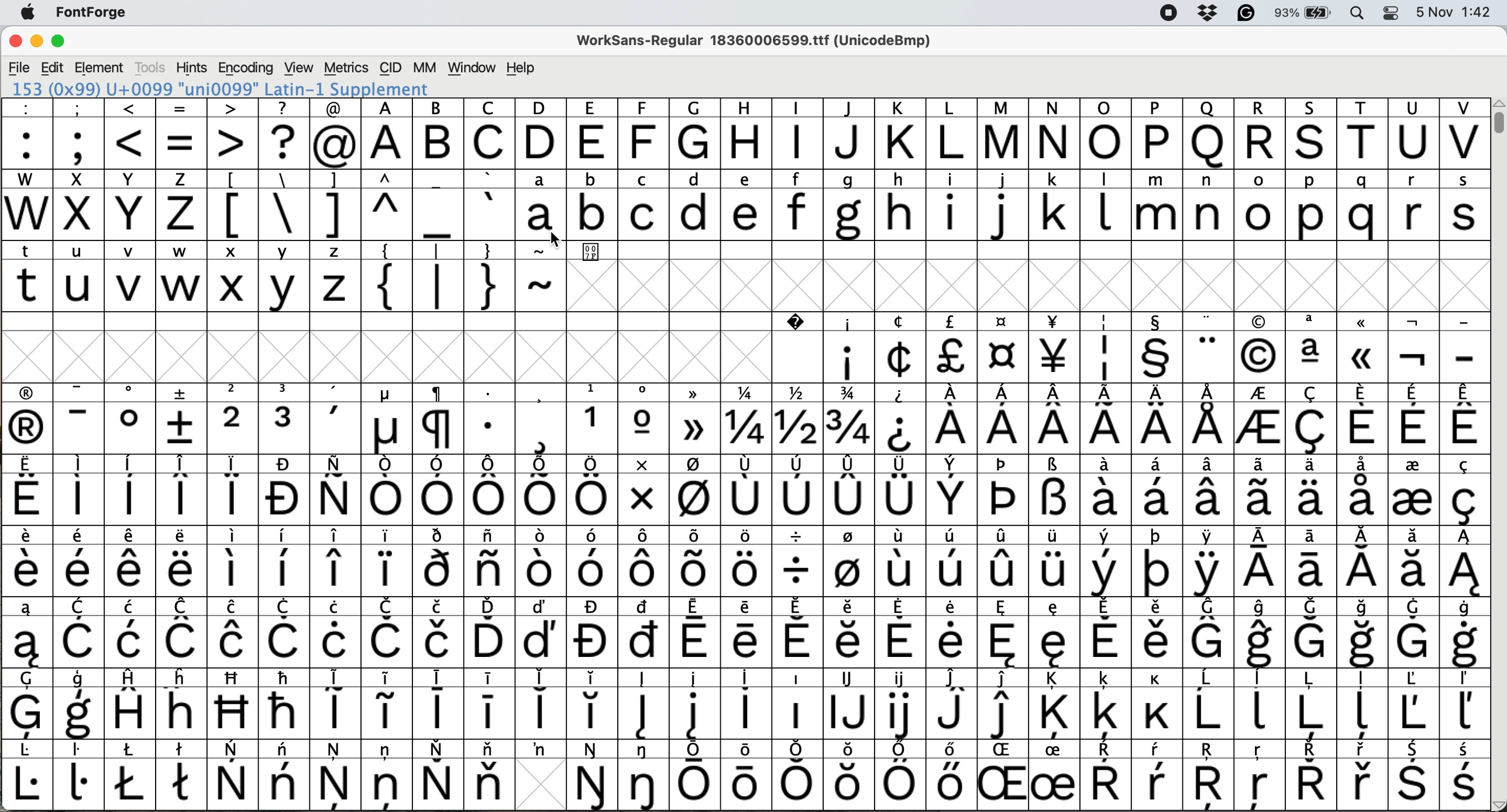 The height and width of the screenshot is (812, 1507). Describe the element at coordinates (18, 68) in the screenshot. I see `file` at that location.